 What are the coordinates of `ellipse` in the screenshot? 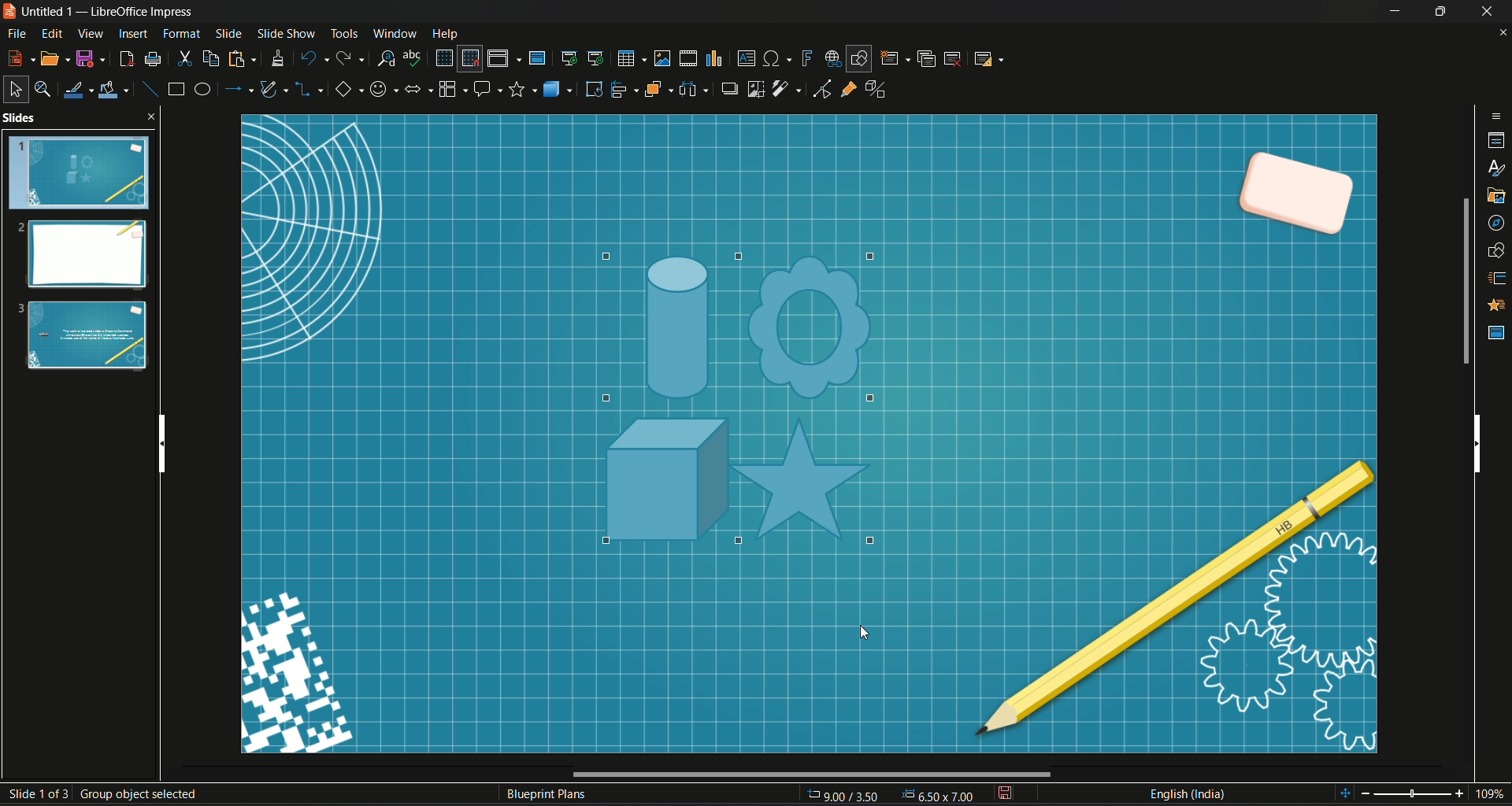 It's located at (201, 88).